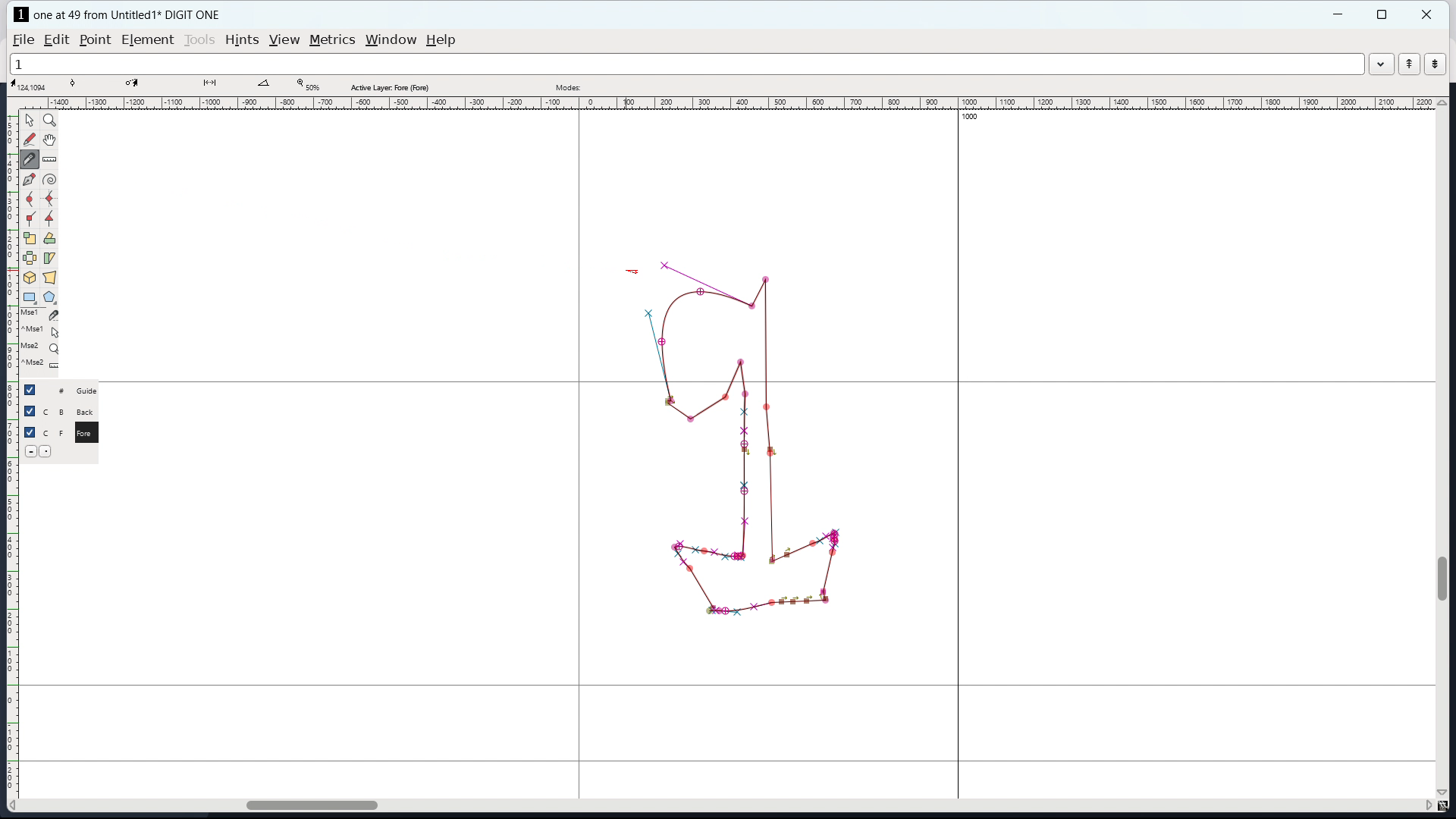  Describe the element at coordinates (30, 297) in the screenshot. I see `rectangle or ellipse` at that location.